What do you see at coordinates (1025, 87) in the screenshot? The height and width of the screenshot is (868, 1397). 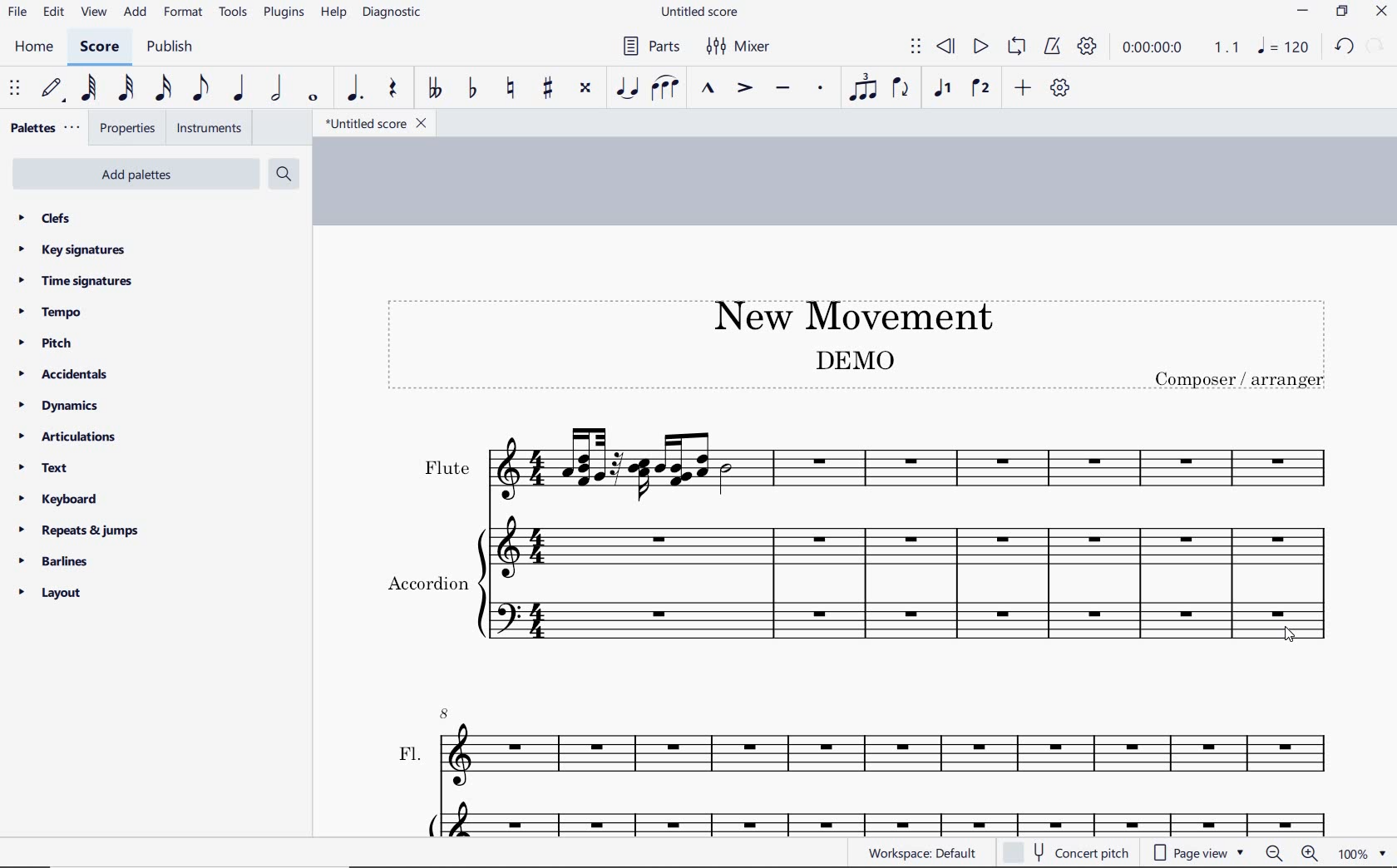 I see `add` at bounding box center [1025, 87].